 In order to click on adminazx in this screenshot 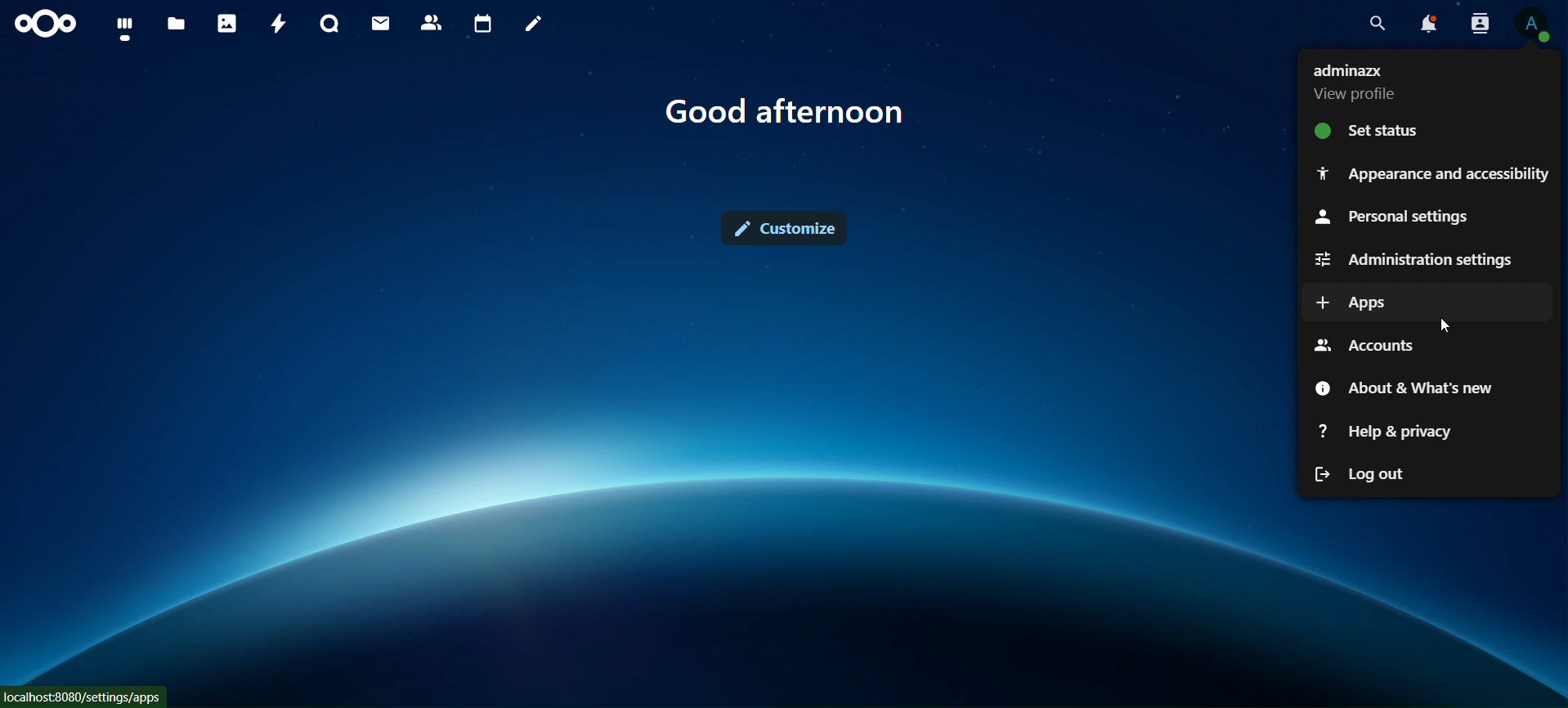, I will do `click(1361, 82)`.